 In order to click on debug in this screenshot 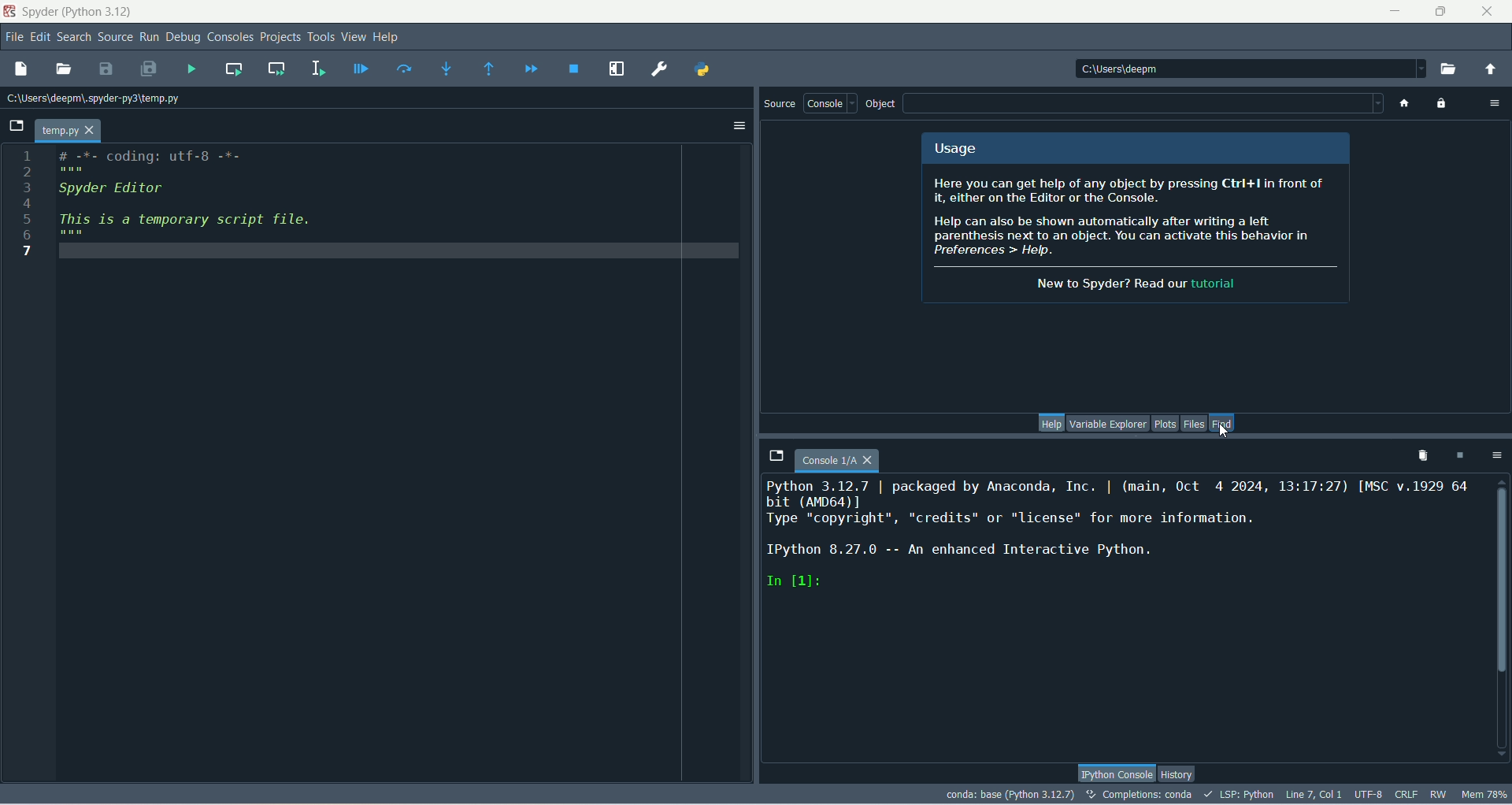, I will do `click(186, 38)`.